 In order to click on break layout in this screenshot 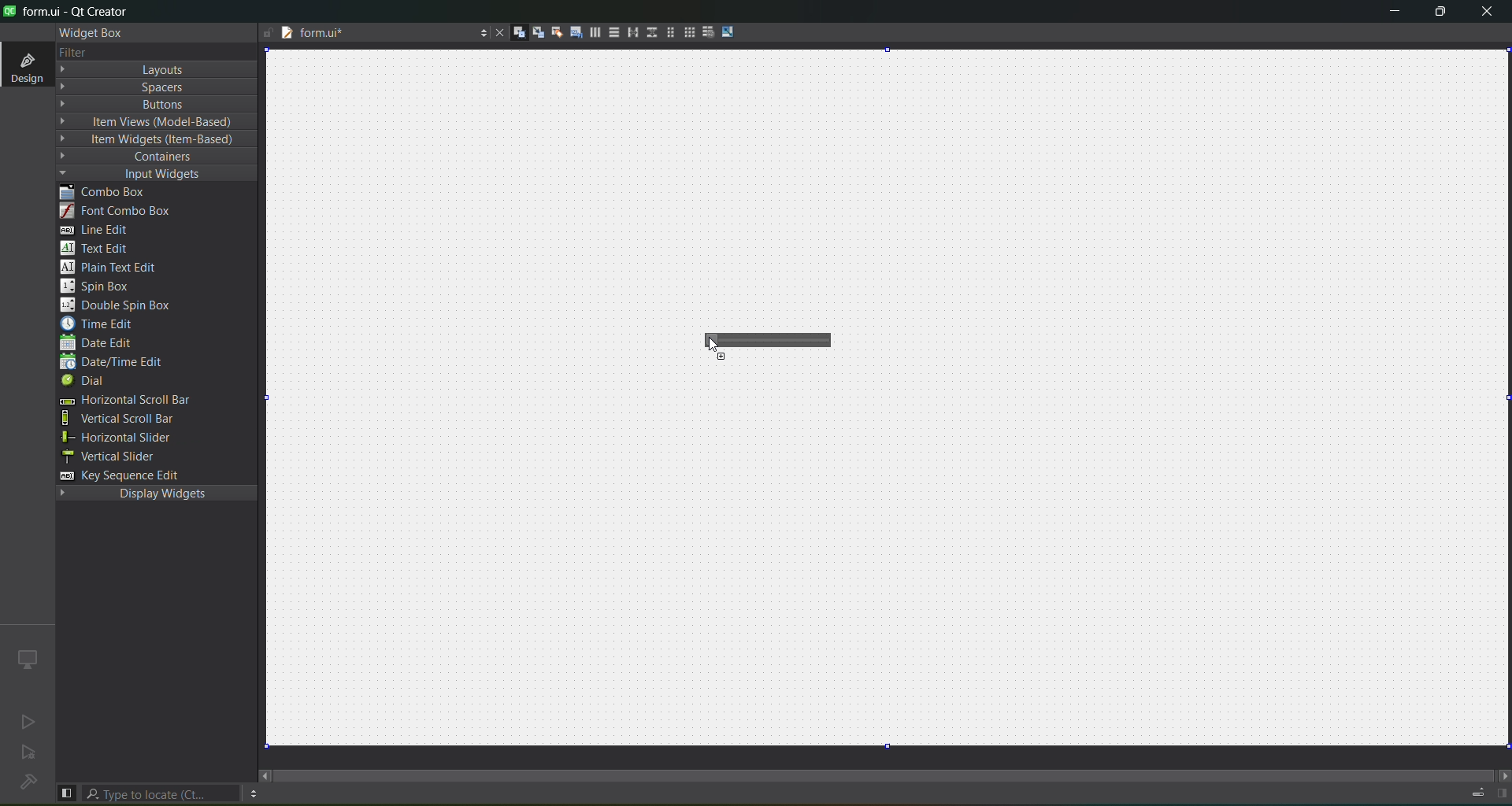, I will do `click(710, 32)`.